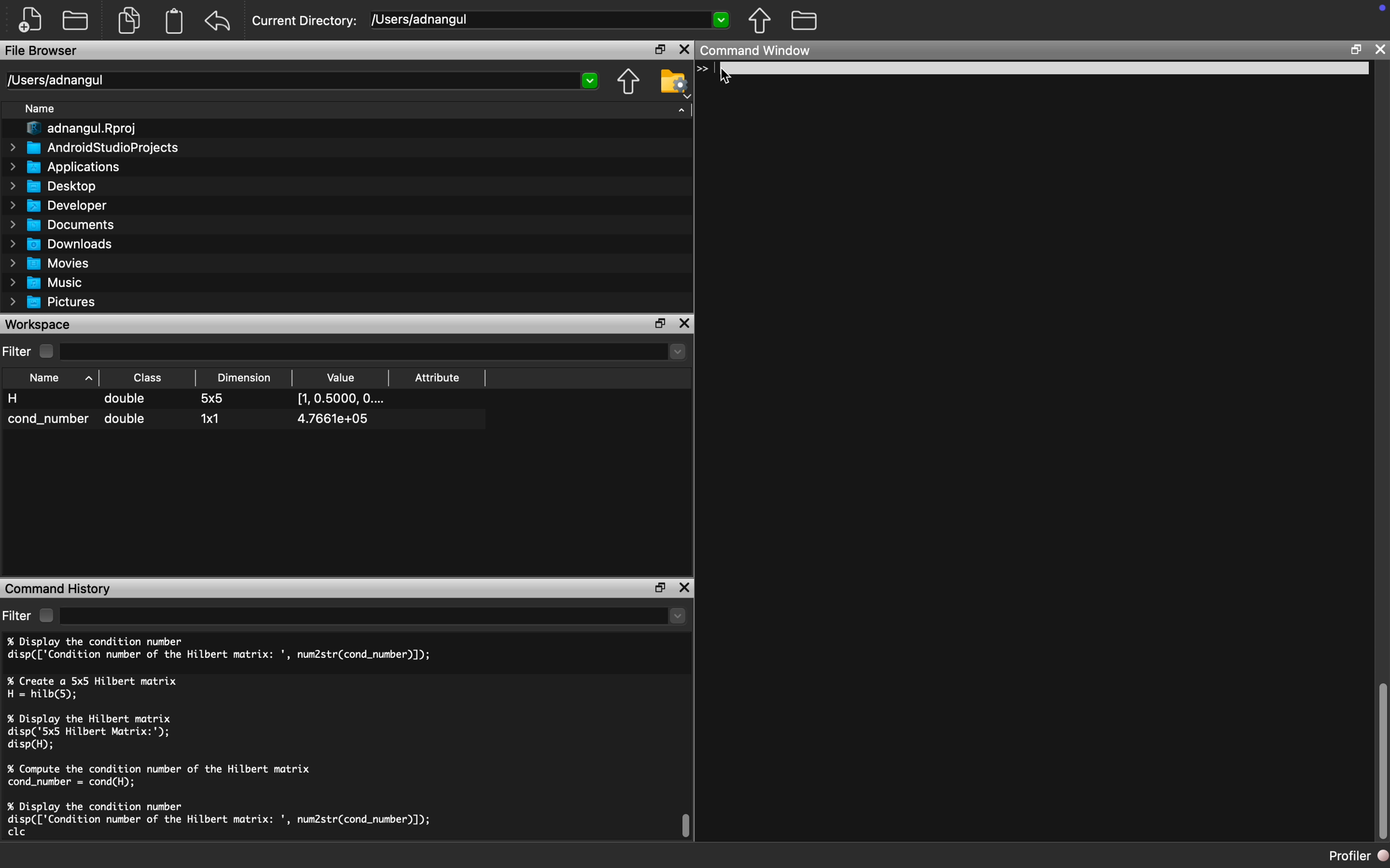  Describe the element at coordinates (146, 378) in the screenshot. I see `Class` at that location.